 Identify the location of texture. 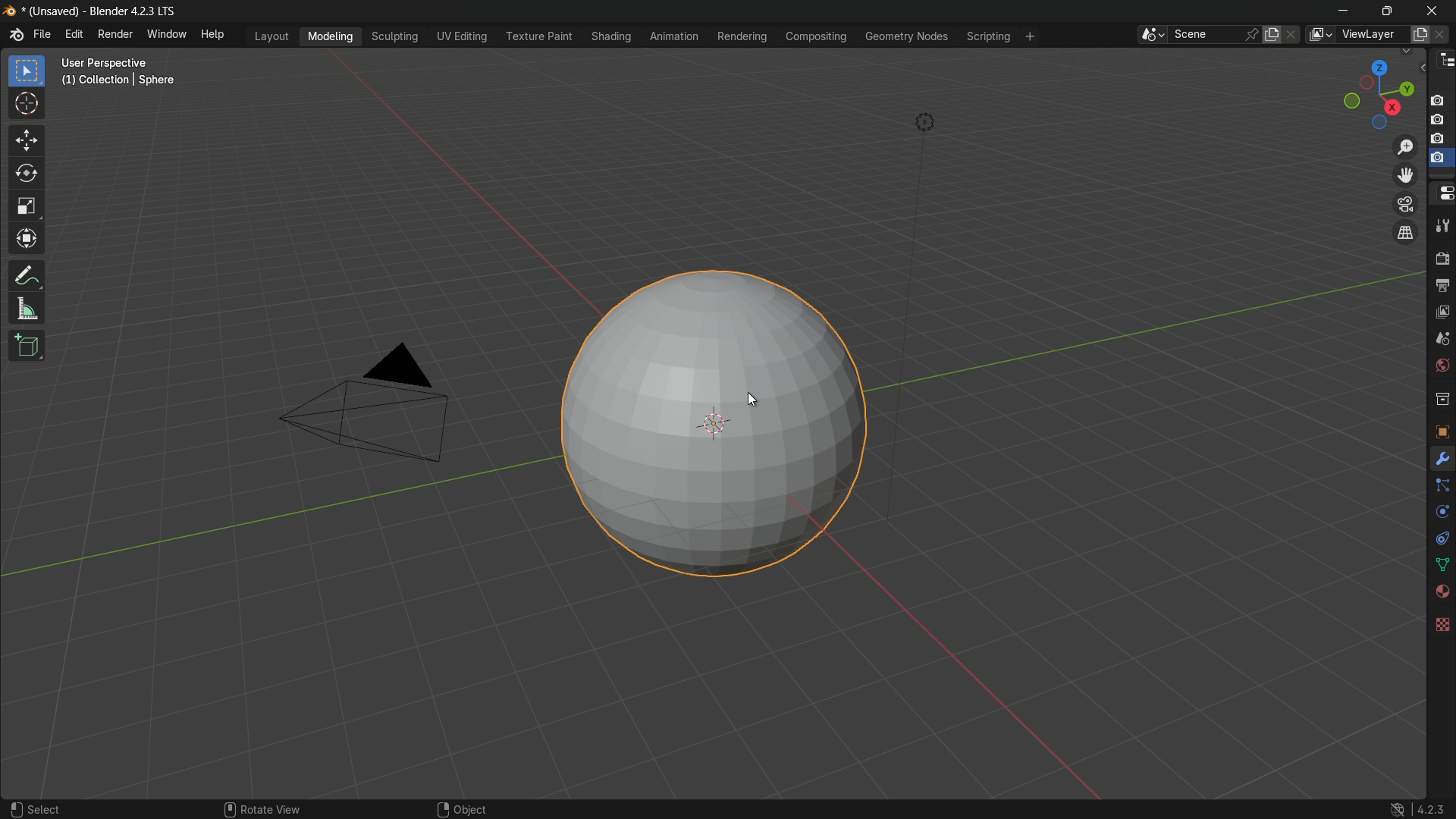
(1442, 623).